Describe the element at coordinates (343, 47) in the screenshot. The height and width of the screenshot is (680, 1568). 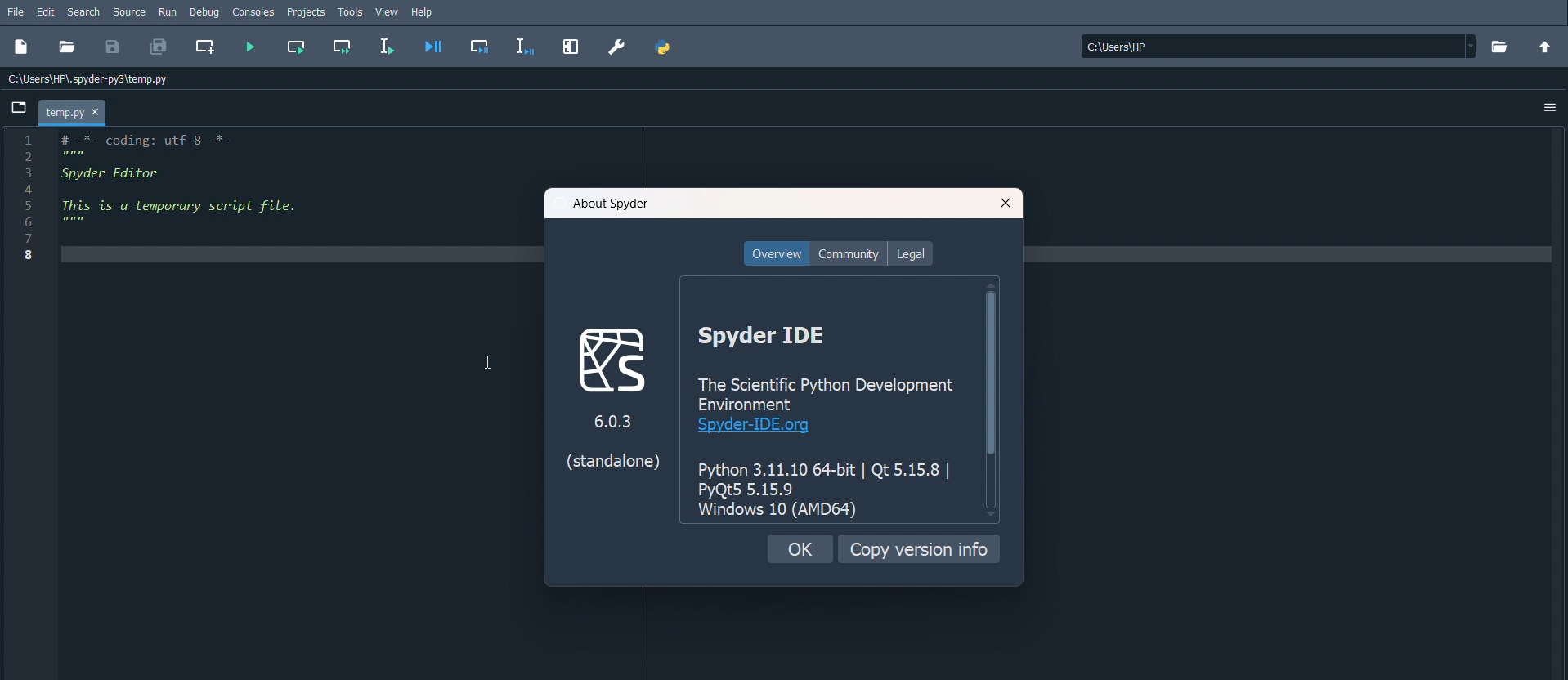
I see `Run current cell and go to the next one` at that location.